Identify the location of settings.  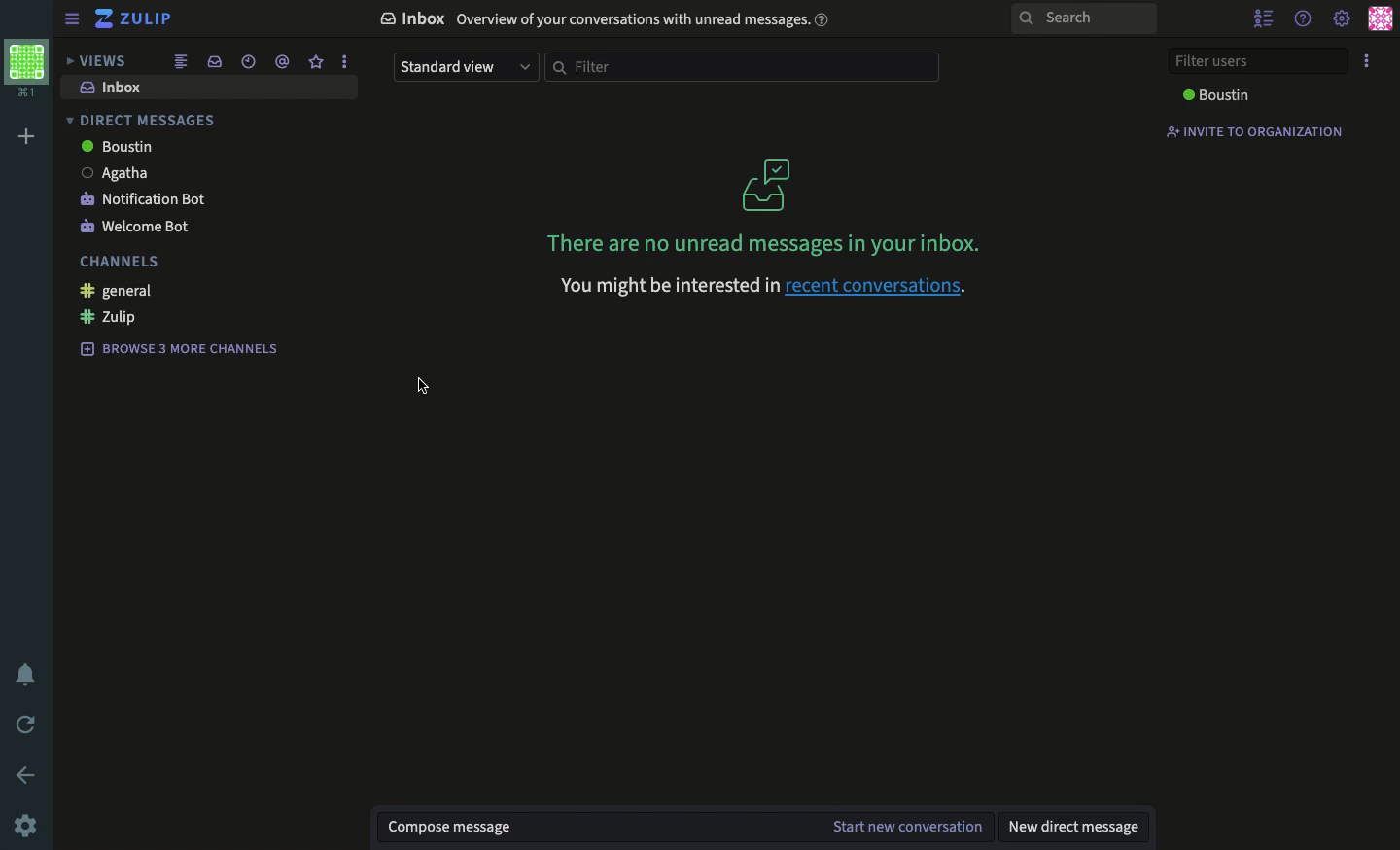
(1341, 19).